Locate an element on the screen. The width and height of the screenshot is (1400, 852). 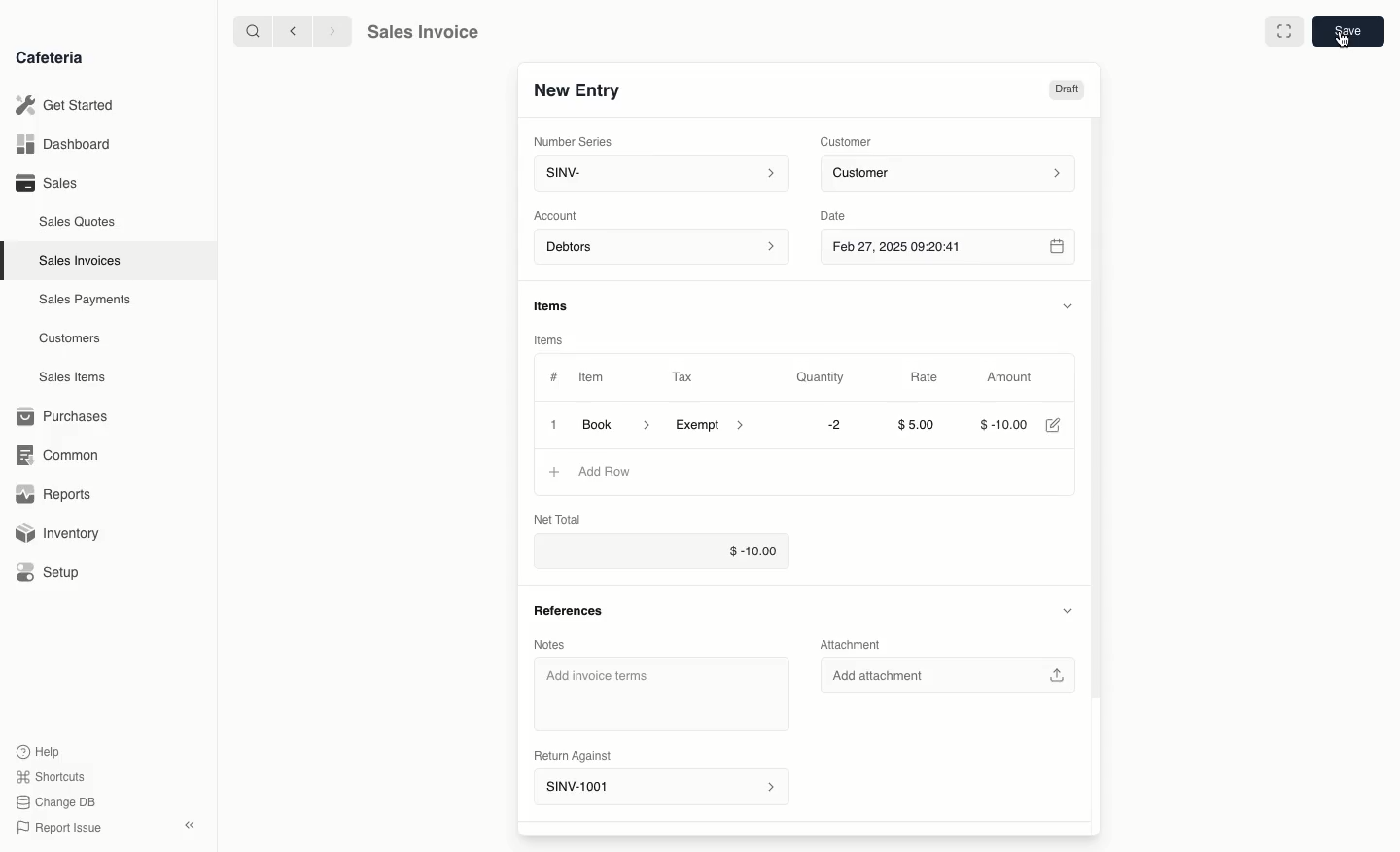
Rate is located at coordinates (930, 377).